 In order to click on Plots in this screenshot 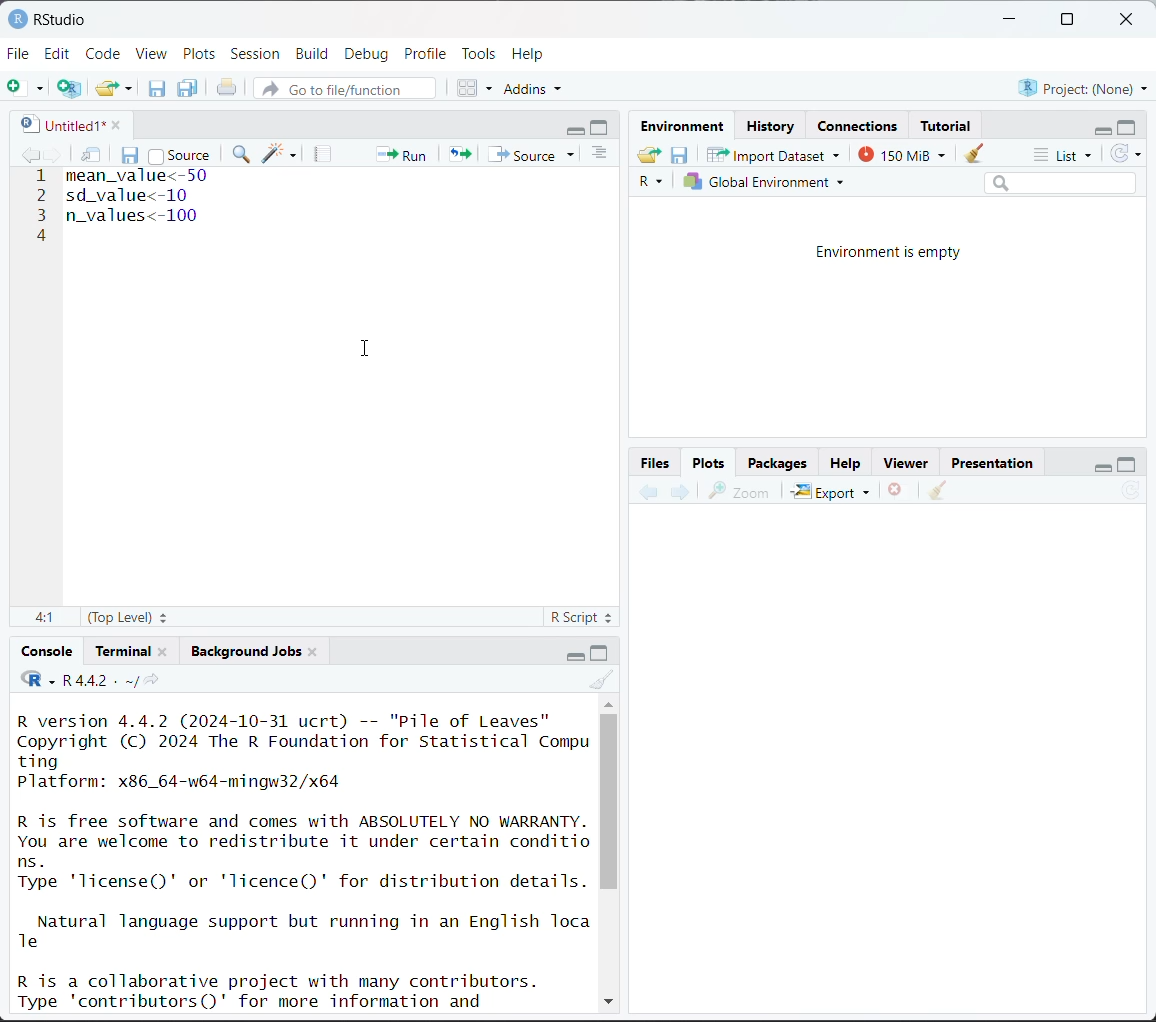, I will do `click(709, 461)`.